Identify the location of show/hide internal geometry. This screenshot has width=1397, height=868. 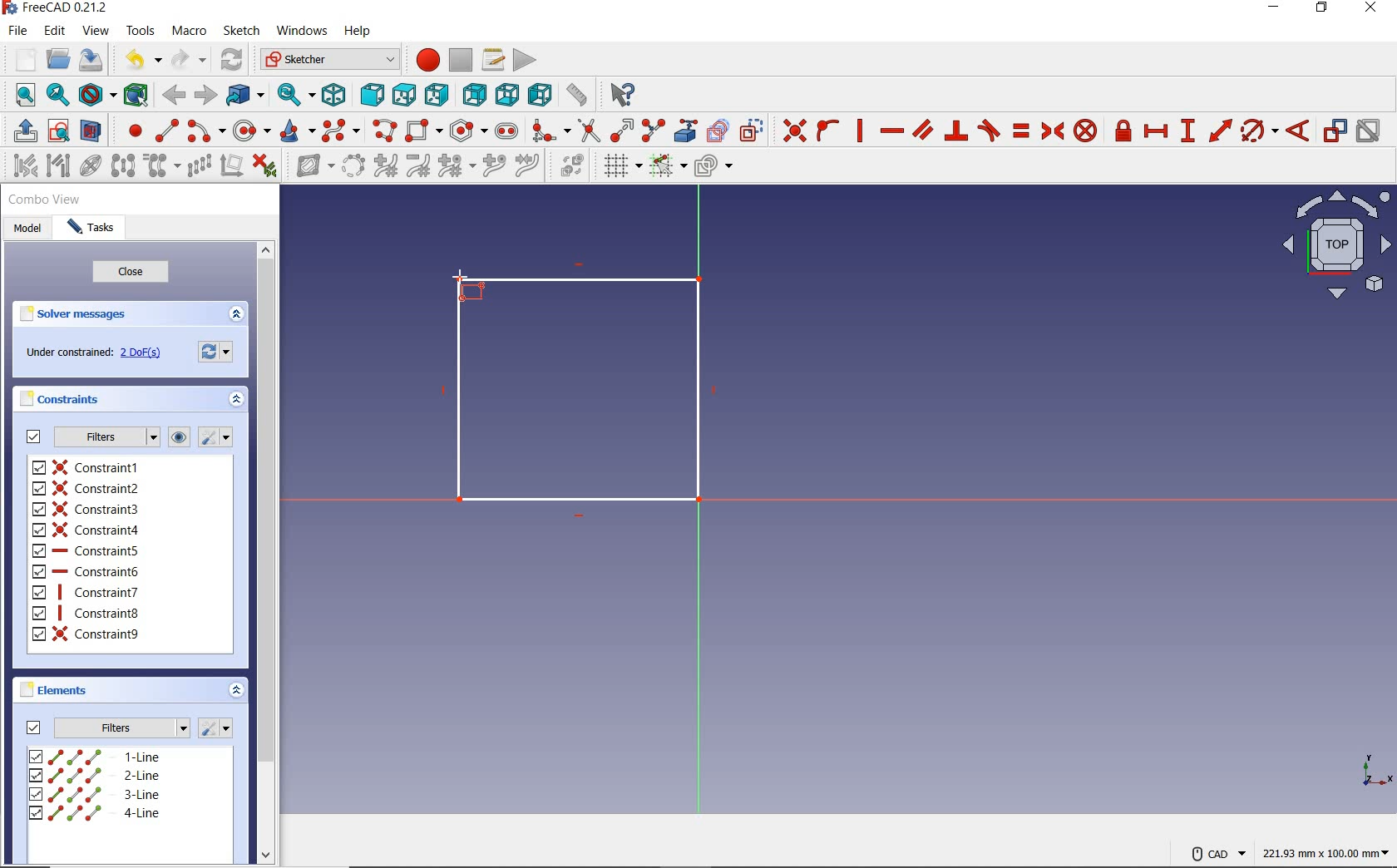
(91, 168).